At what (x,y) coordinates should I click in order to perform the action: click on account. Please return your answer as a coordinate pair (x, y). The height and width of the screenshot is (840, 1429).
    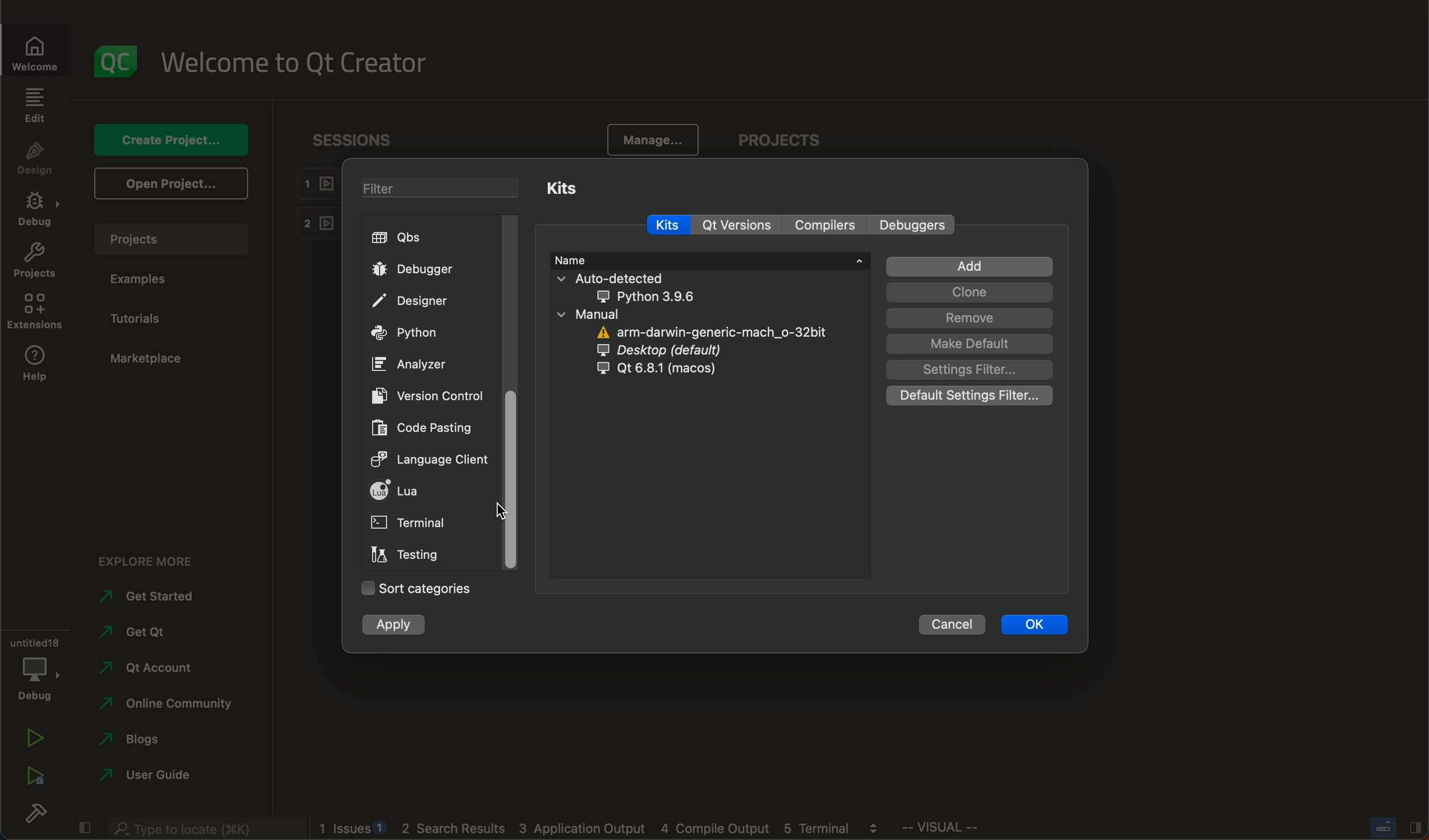
    Looking at the image, I should click on (152, 664).